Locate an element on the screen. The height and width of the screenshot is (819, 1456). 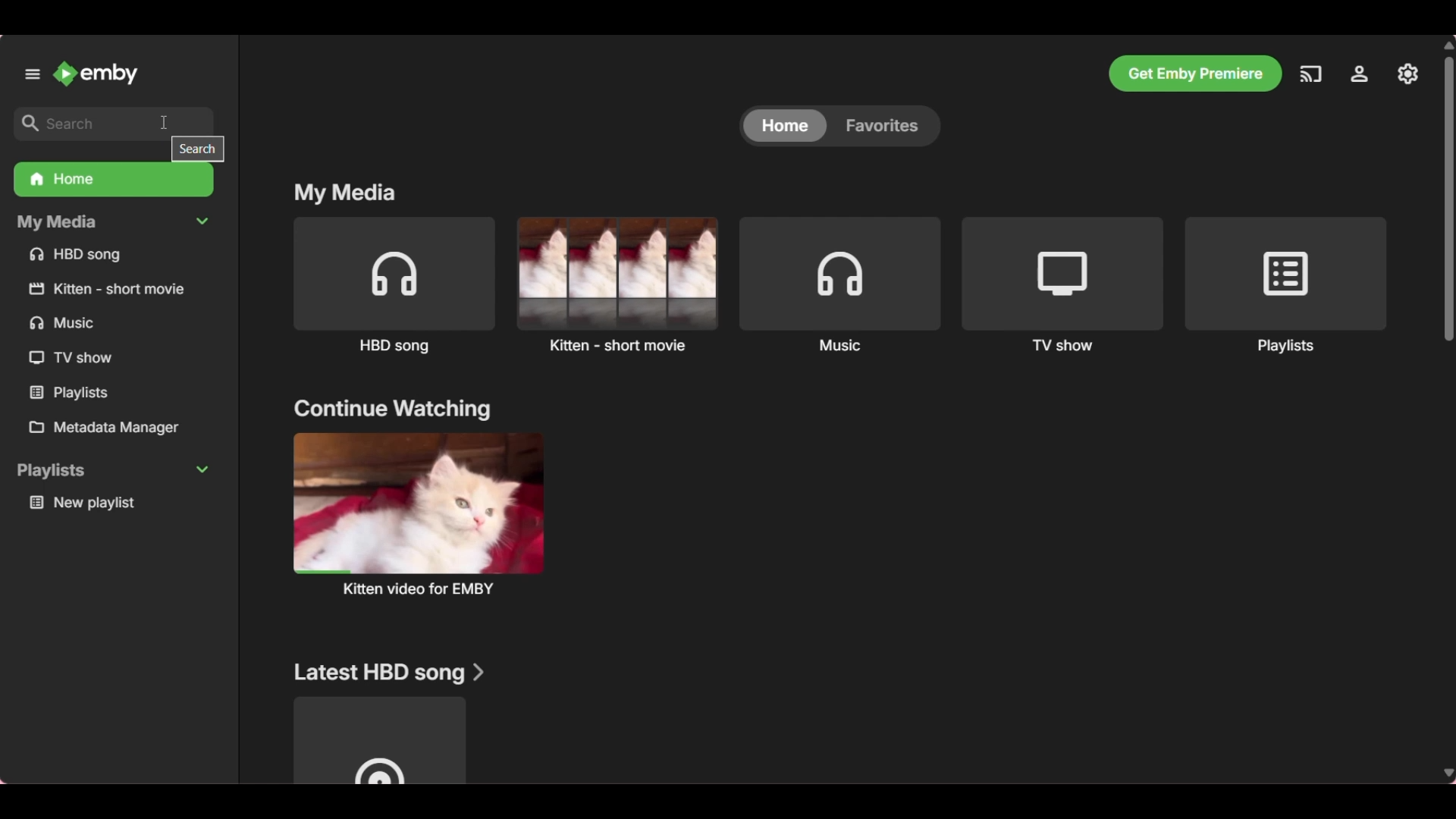
Get Emby premiere is located at coordinates (1195, 74).